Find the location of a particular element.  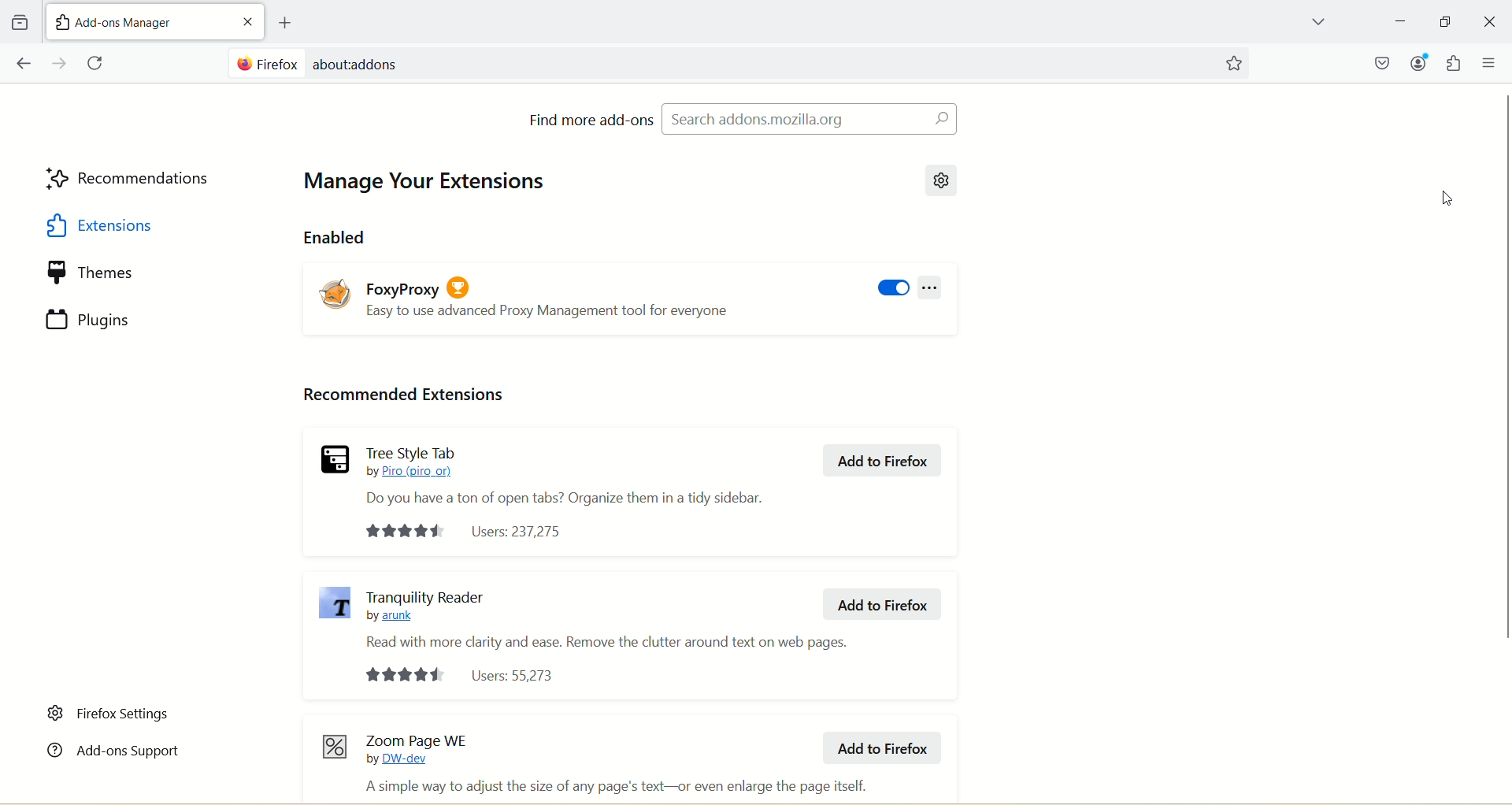

A simple way to adjust the size of any page's text—or even enlarge the page itself. is located at coordinates (614, 786).